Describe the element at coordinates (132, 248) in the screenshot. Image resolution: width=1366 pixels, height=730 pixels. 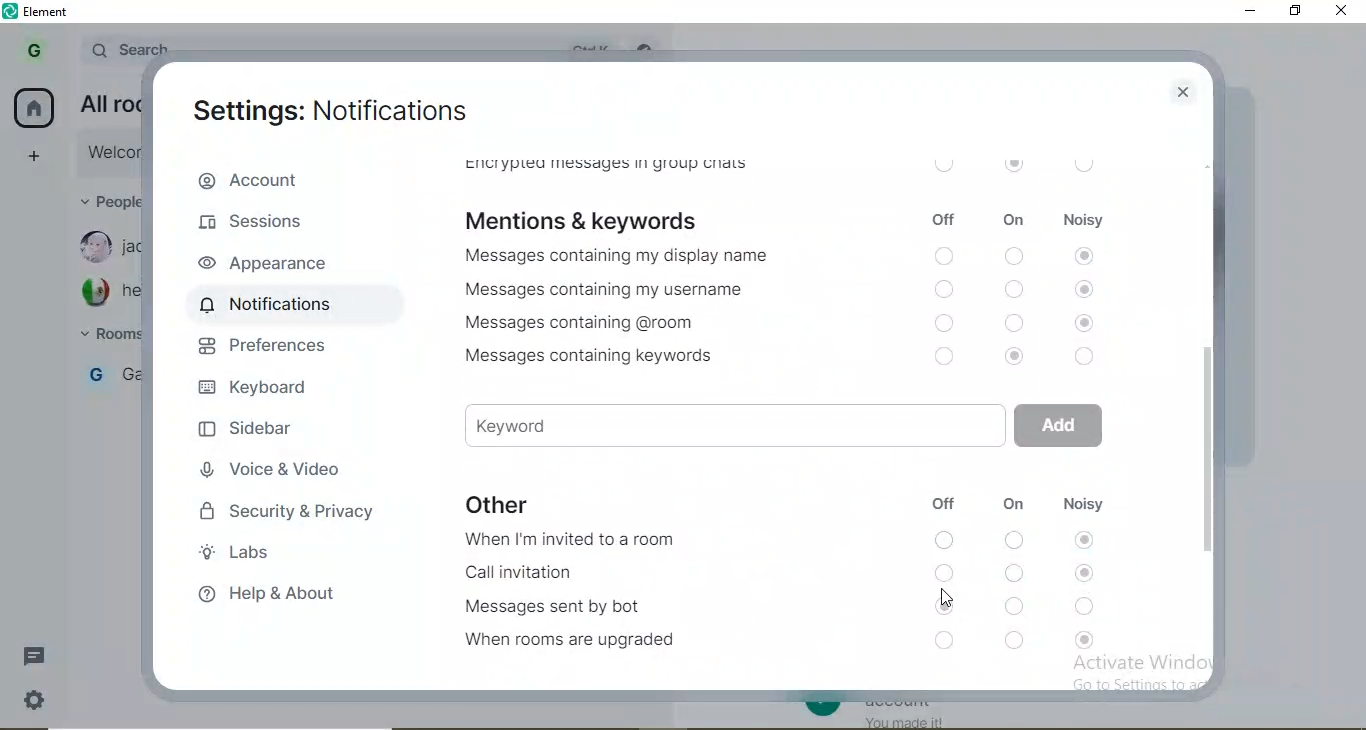
I see `jackmama` at that location.